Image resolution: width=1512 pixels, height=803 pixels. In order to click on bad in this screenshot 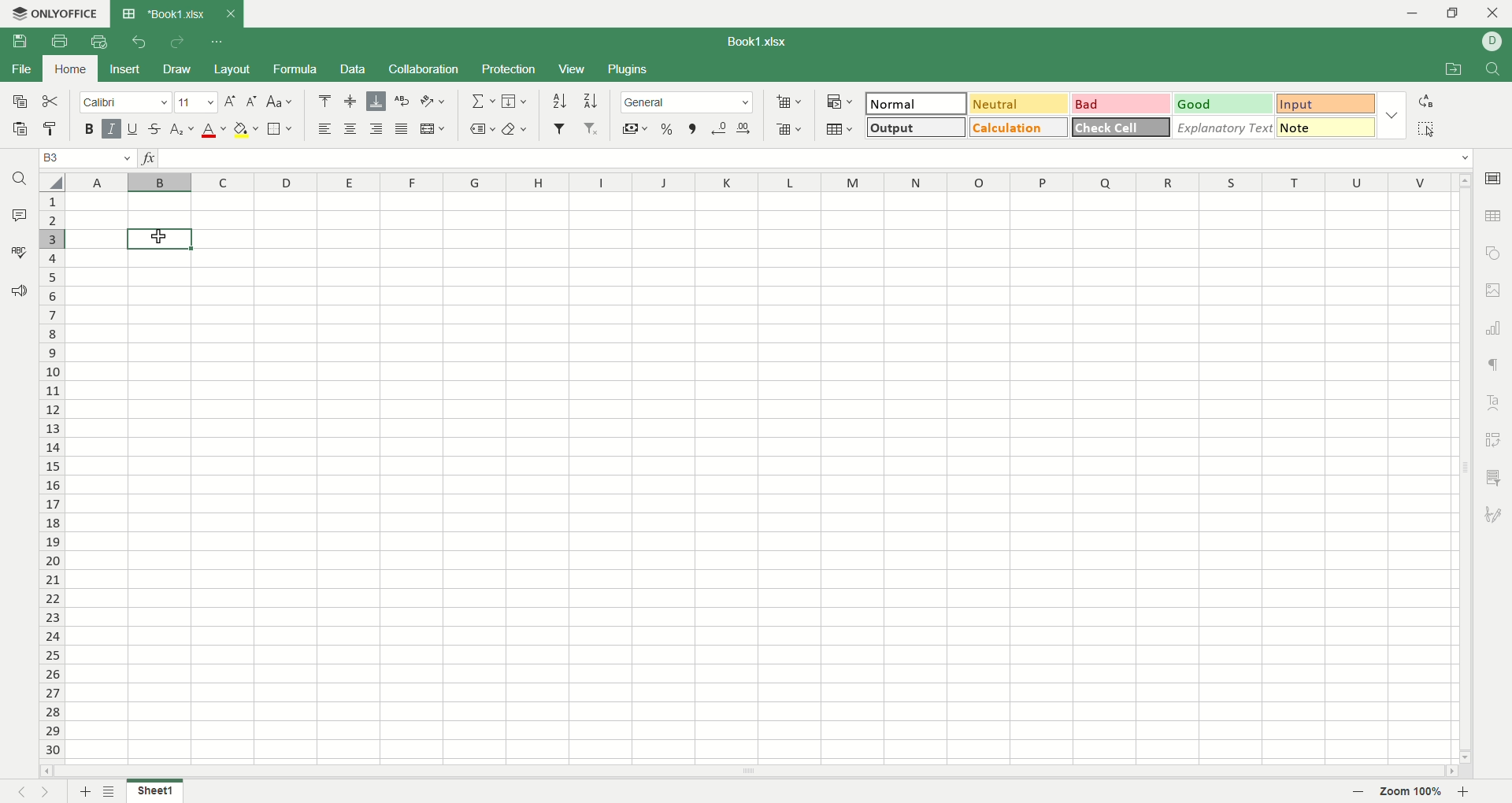, I will do `click(1122, 105)`.